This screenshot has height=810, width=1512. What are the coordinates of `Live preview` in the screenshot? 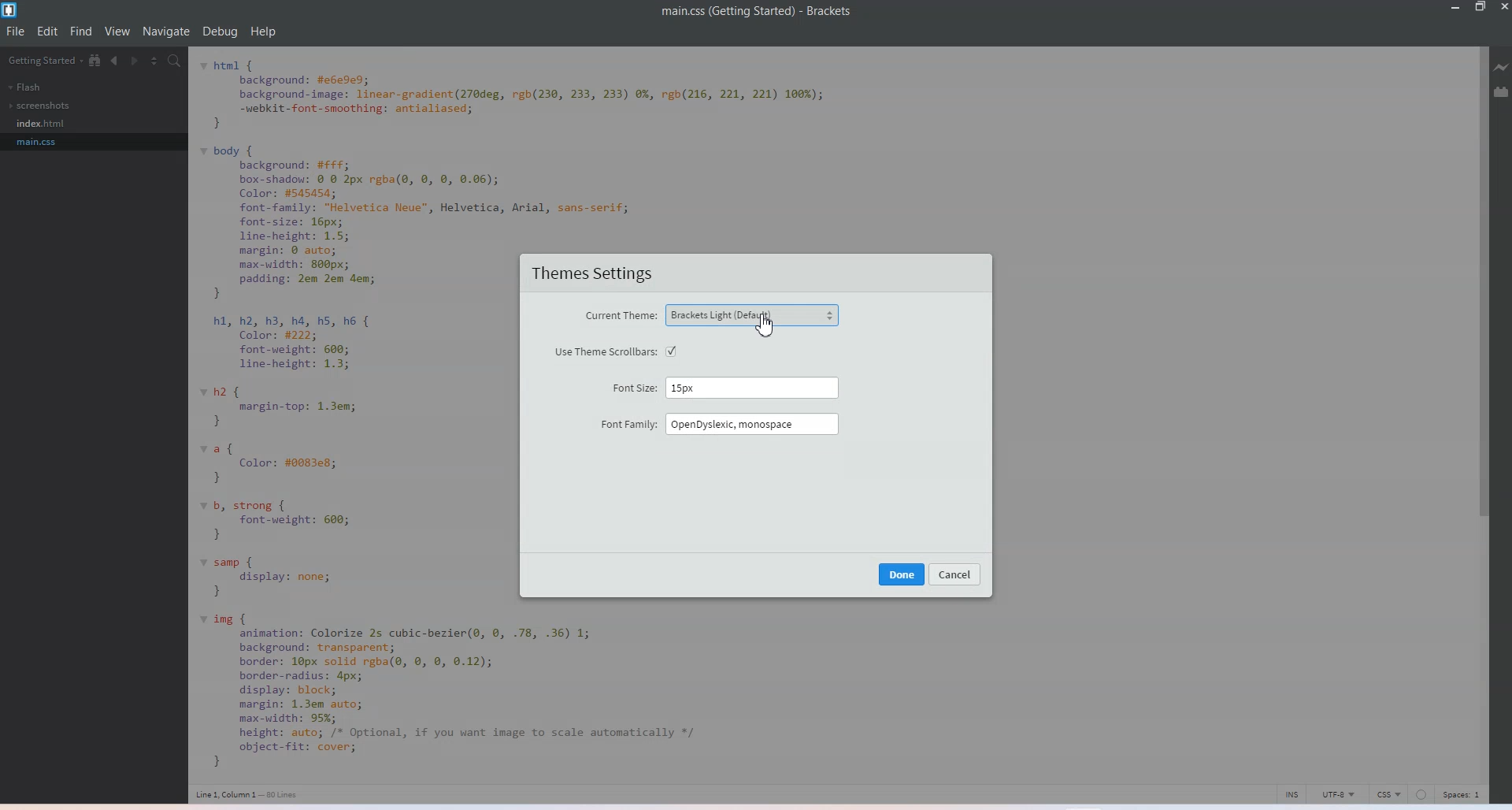 It's located at (1503, 66).